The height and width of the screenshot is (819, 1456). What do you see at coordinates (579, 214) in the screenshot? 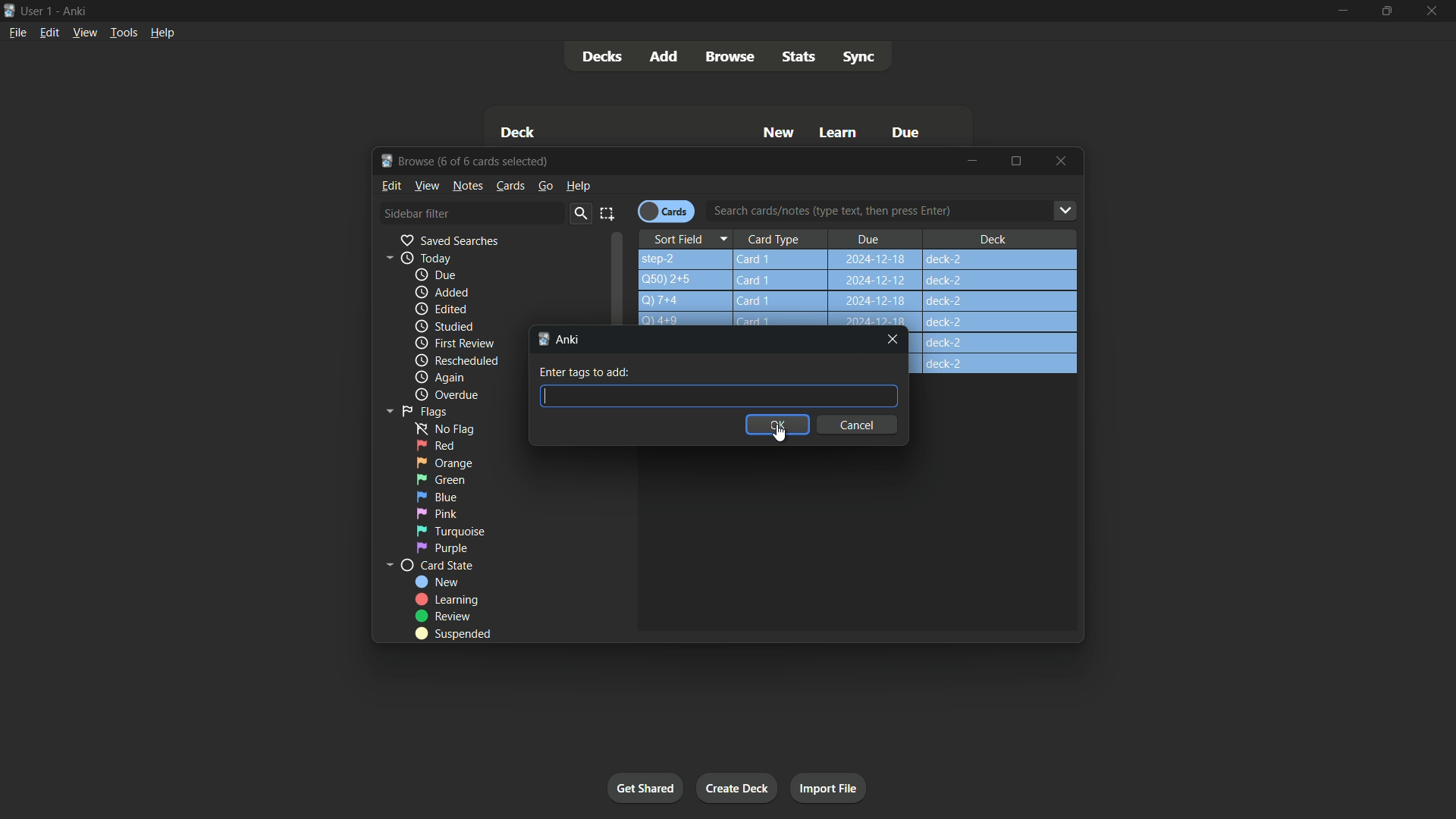
I see `Search` at bounding box center [579, 214].